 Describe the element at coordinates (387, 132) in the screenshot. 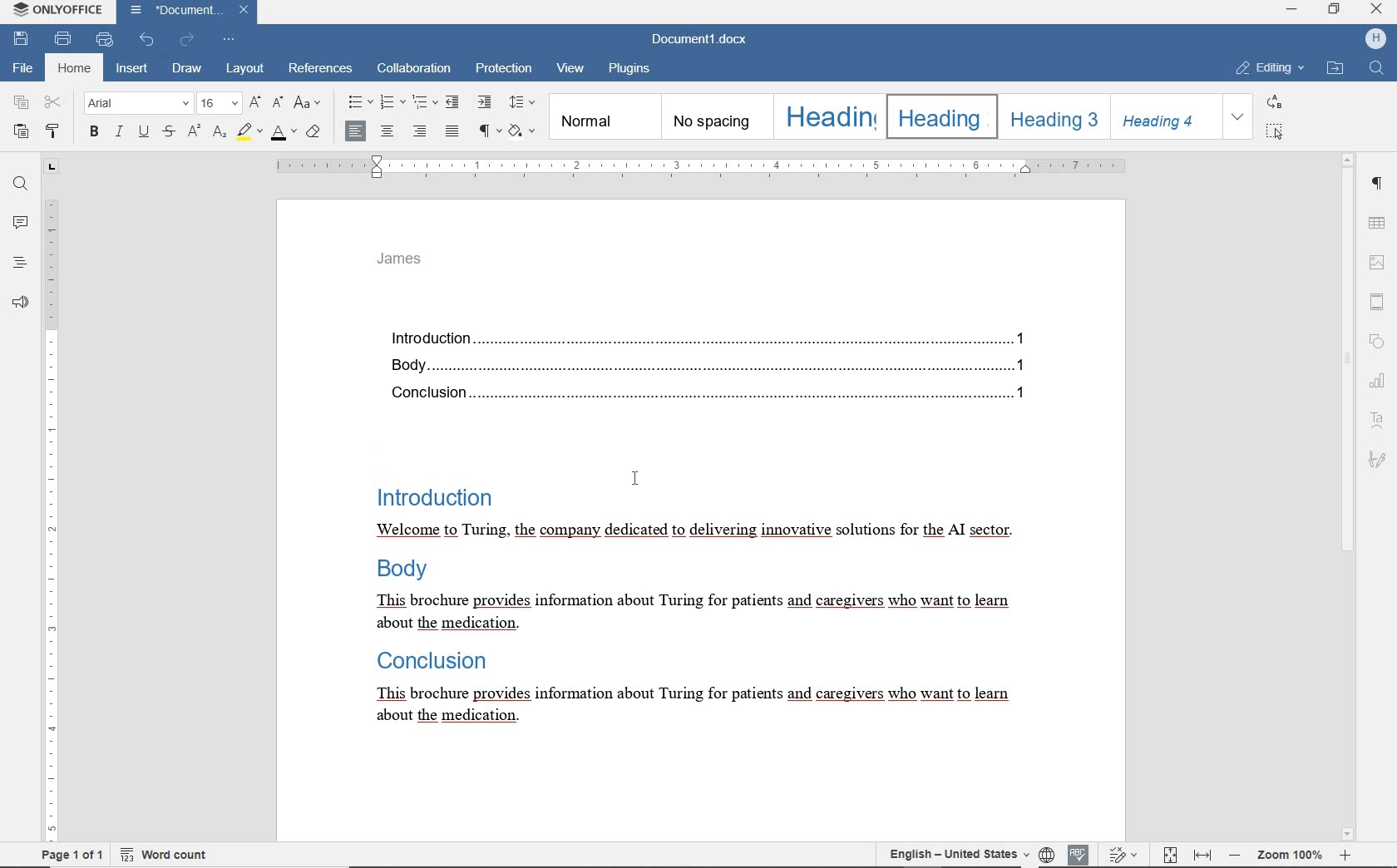

I see `align center` at that location.